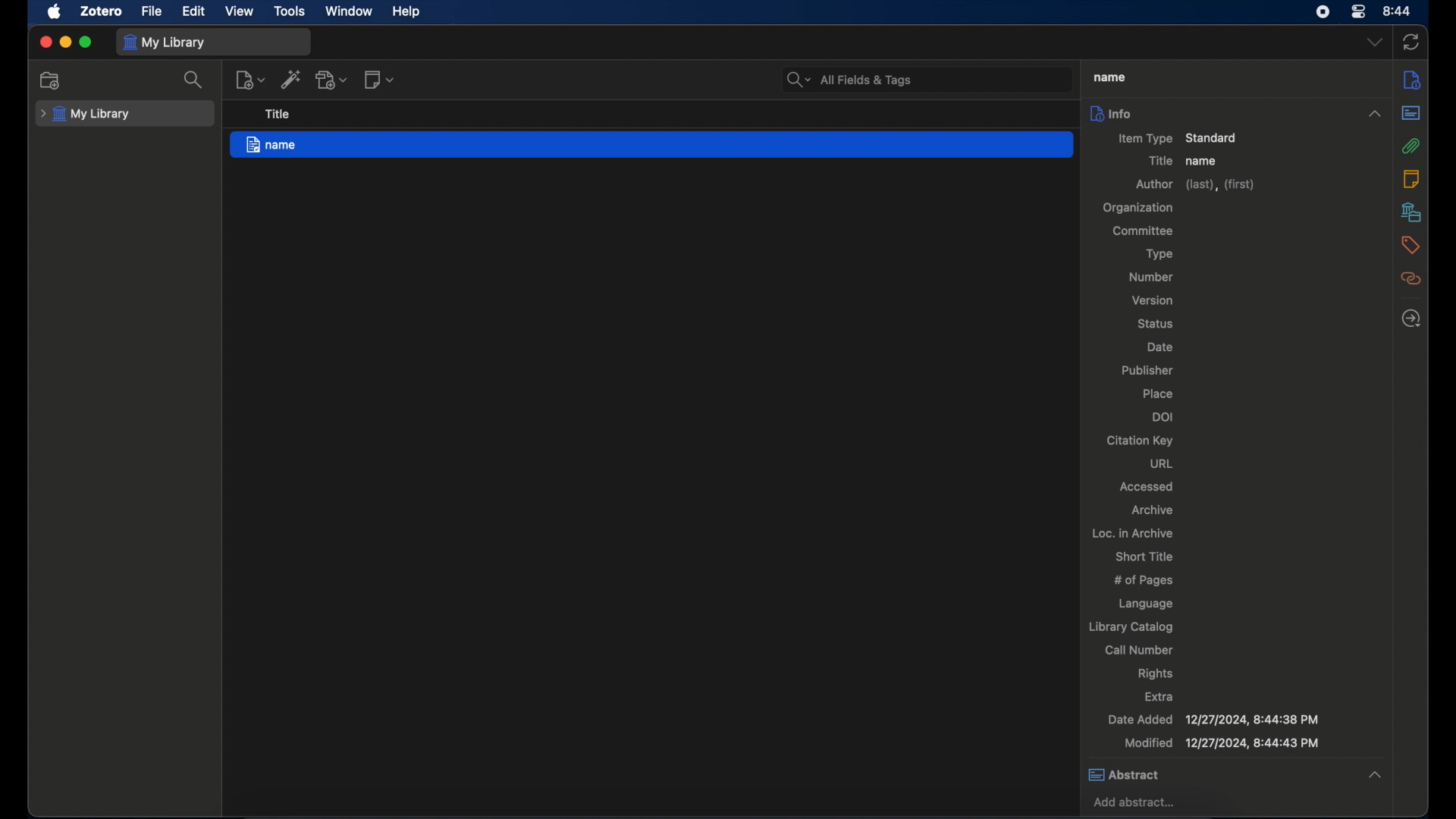 Image resolution: width=1456 pixels, height=819 pixels. What do you see at coordinates (1137, 803) in the screenshot?
I see `add abstract` at bounding box center [1137, 803].